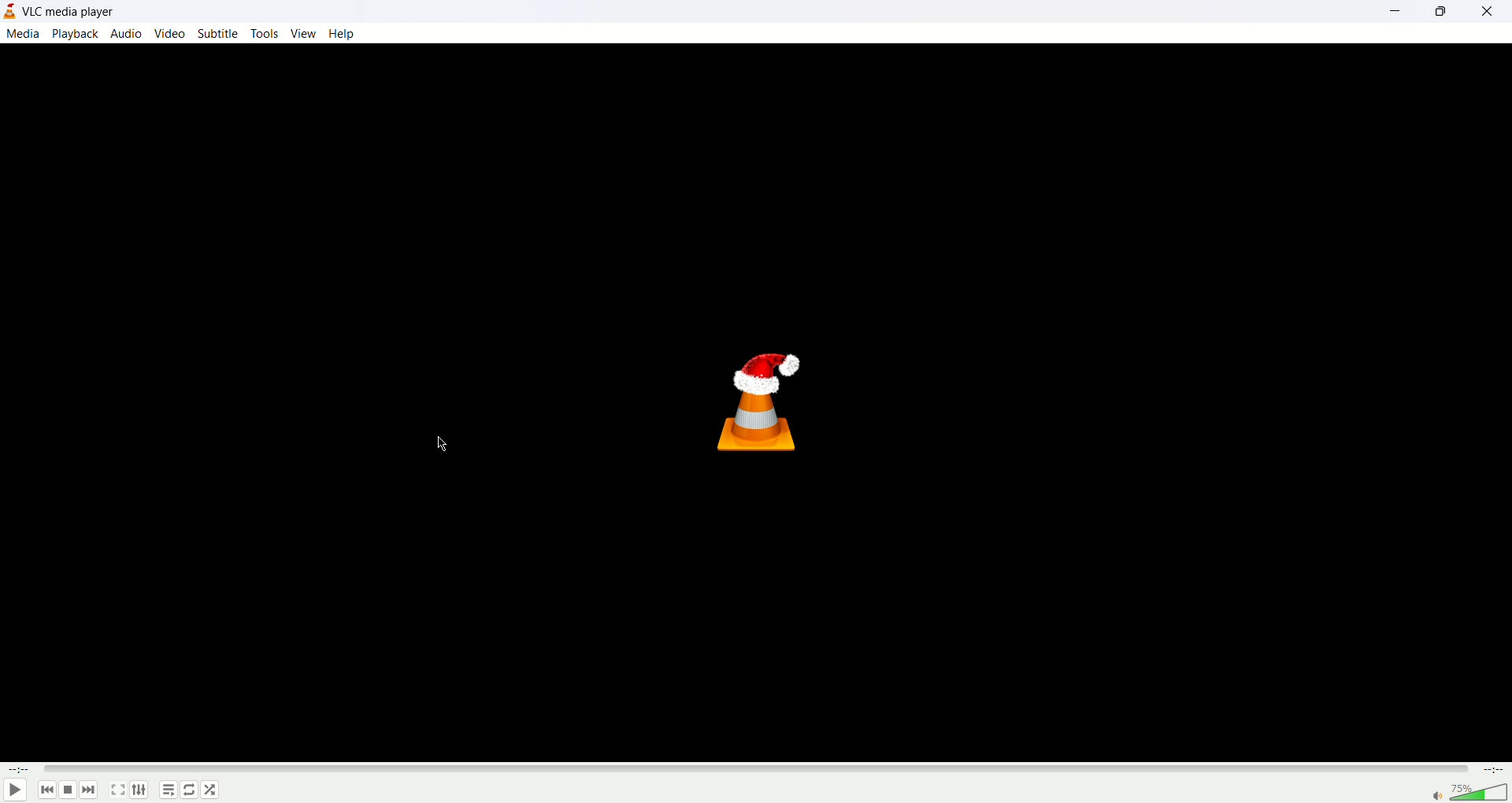  Describe the element at coordinates (139, 790) in the screenshot. I see `extended settings` at that location.